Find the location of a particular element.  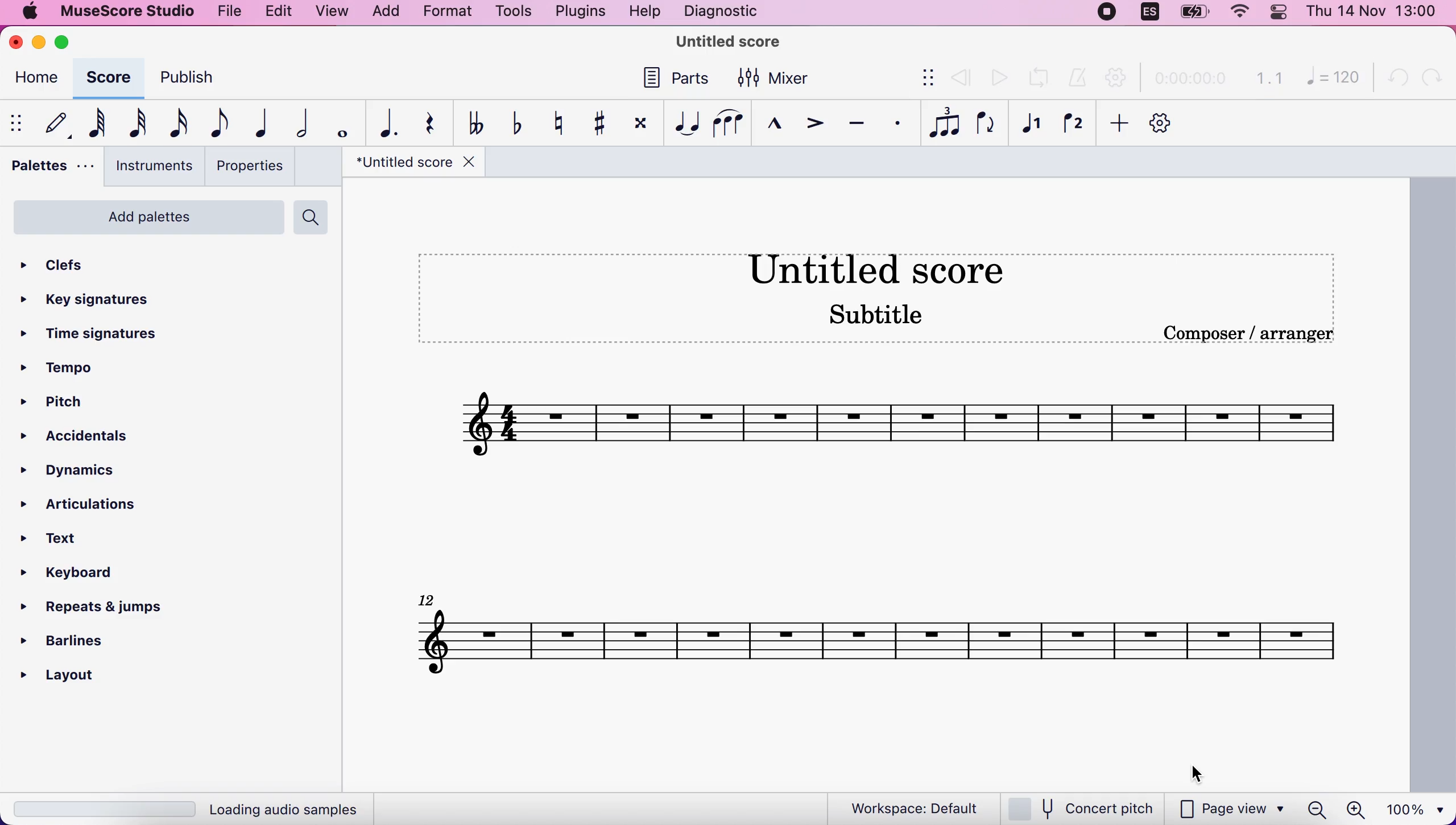

100% is located at coordinates (1418, 807).